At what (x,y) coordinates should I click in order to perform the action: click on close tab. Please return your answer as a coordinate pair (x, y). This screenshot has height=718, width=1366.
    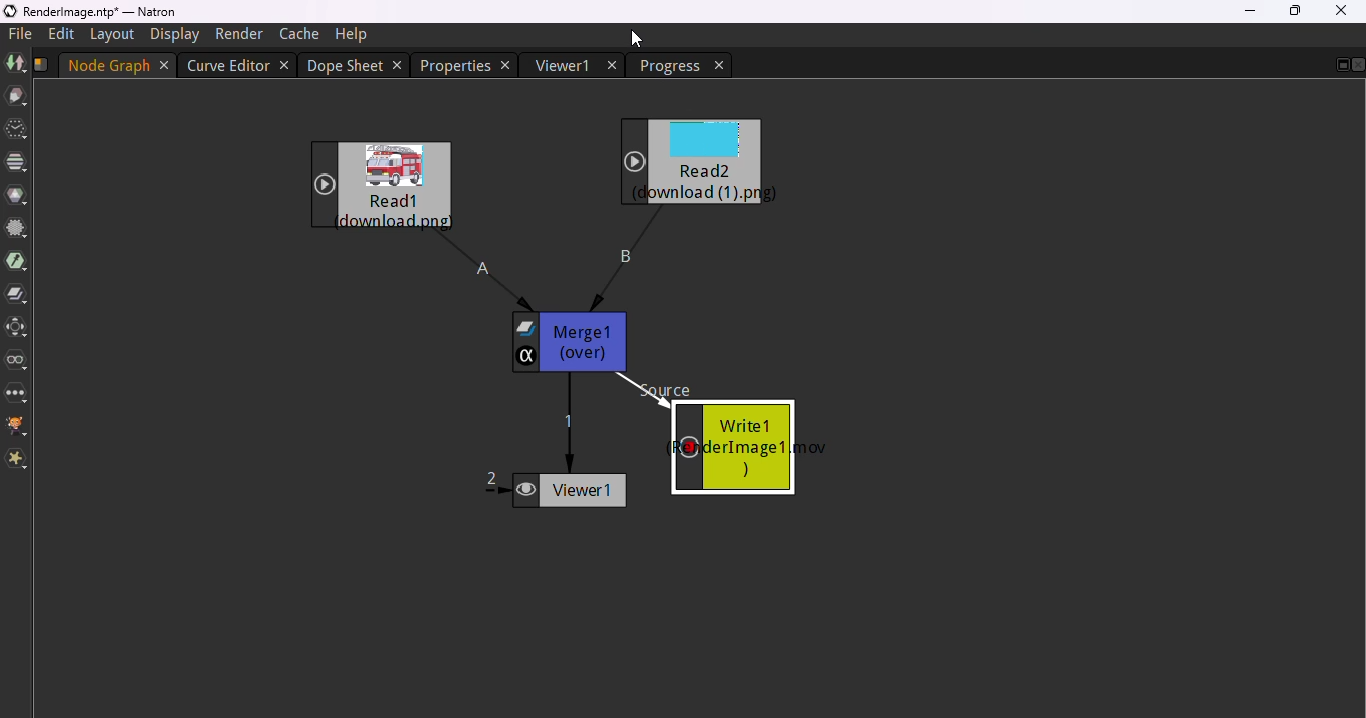
    Looking at the image, I should click on (721, 66).